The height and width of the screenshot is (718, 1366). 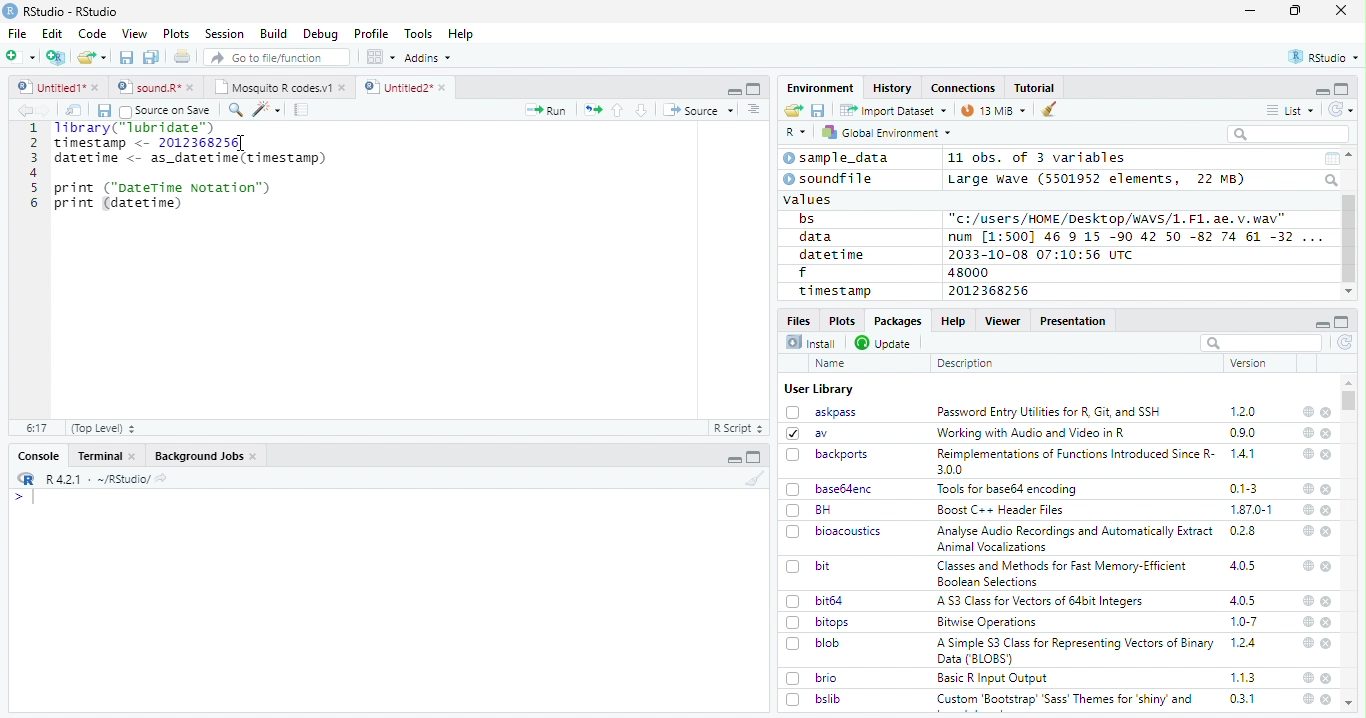 I want to click on Full screen, so click(x=754, y=88).